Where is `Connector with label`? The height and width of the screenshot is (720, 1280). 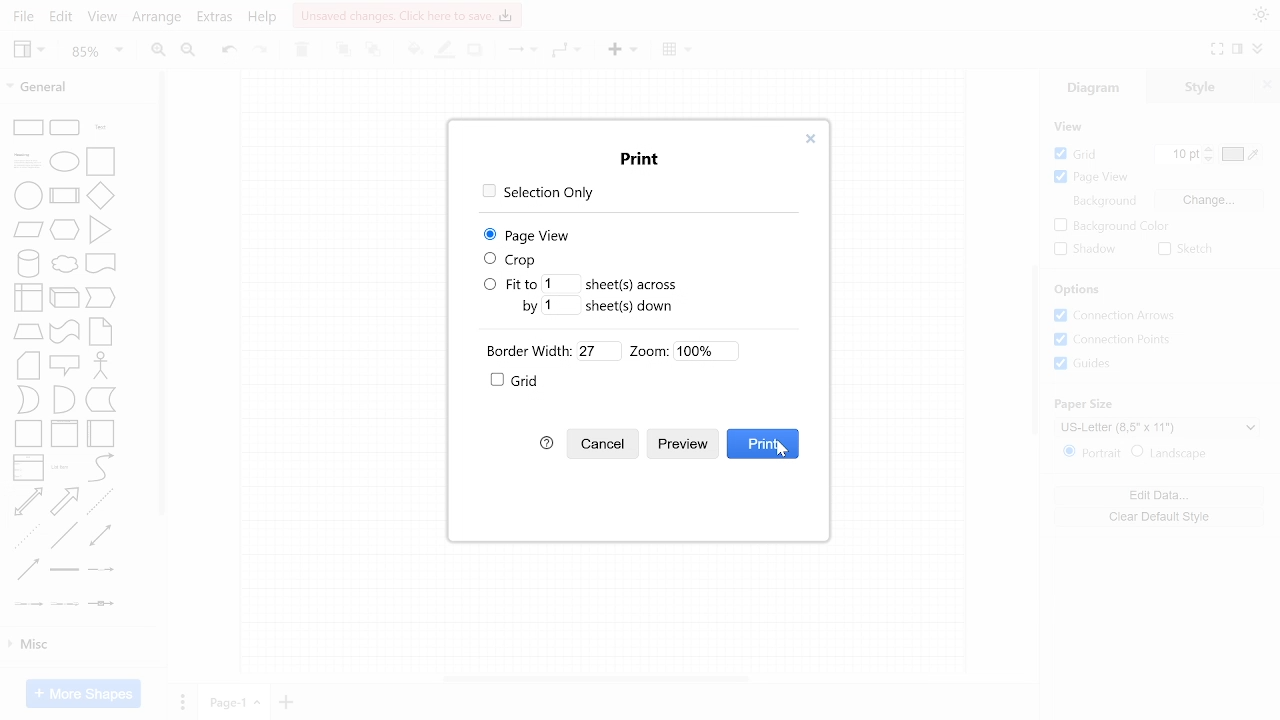 Connector with label is located at coordinates (101, 569).